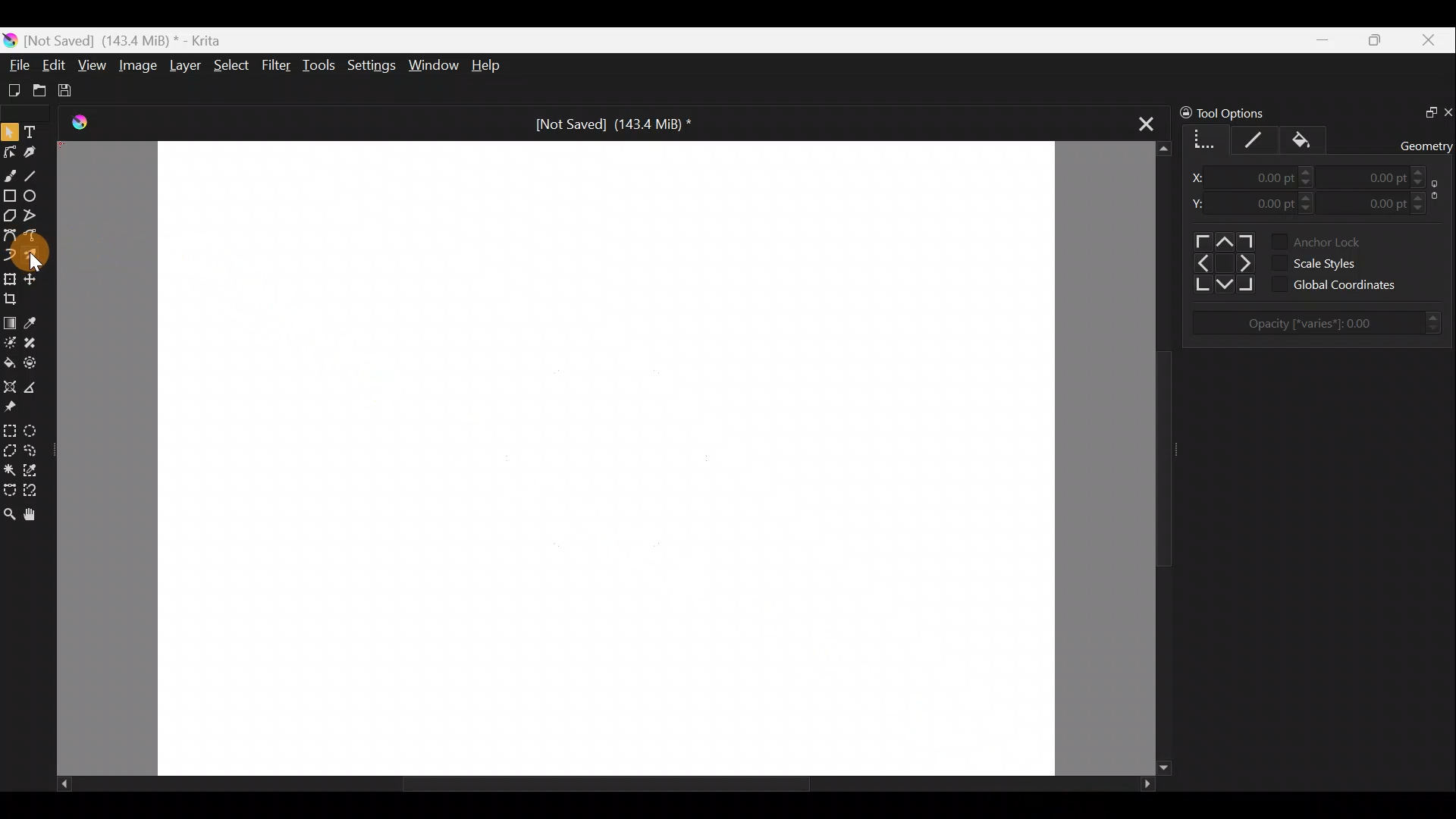 Image resolution: width=1456 pixels, height=819 pixels. Describe the element at coordinates (1310, 140) in the screenshot. I see `Fill` at that location.